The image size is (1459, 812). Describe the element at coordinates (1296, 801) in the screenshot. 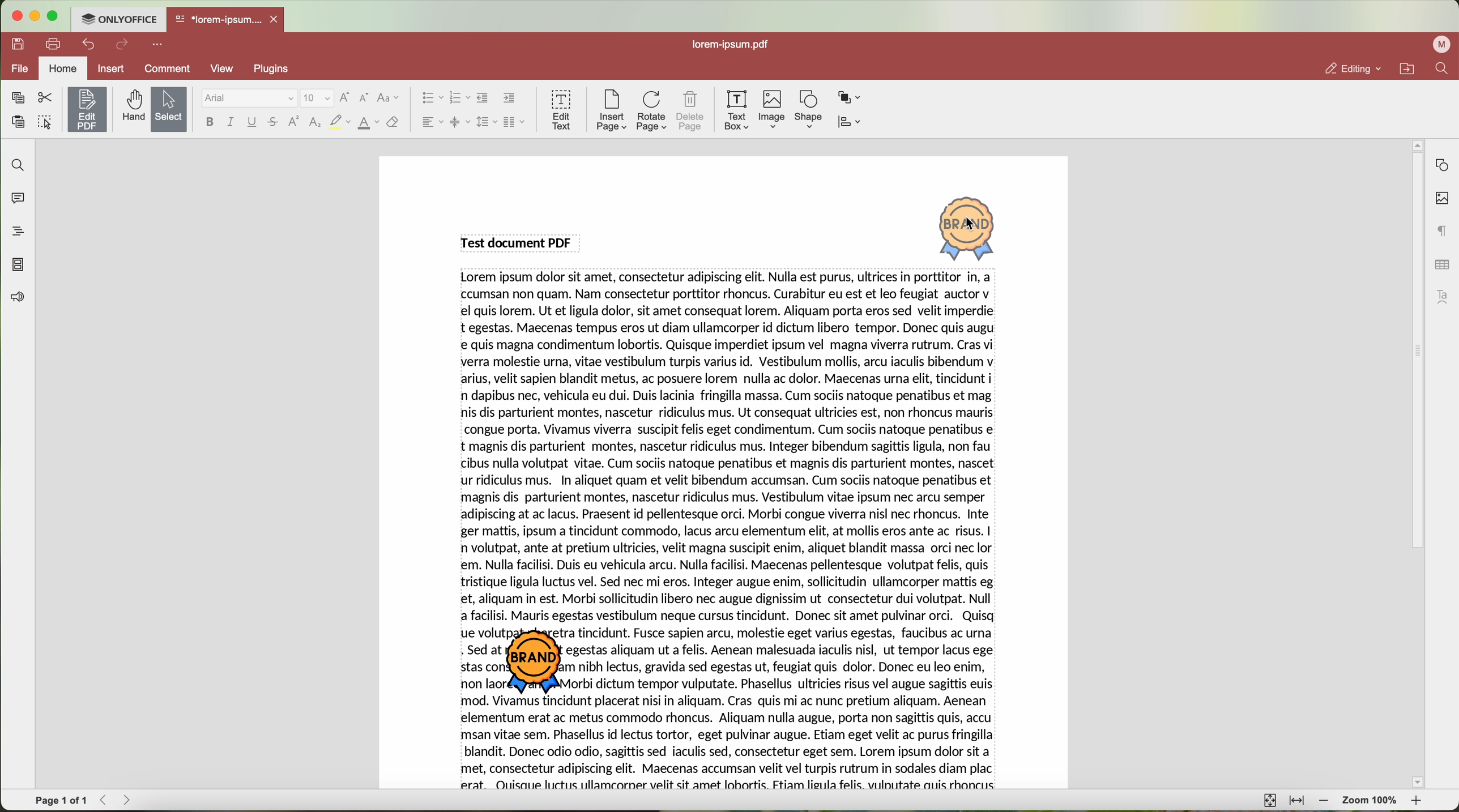

I see `fit to width` at that location.